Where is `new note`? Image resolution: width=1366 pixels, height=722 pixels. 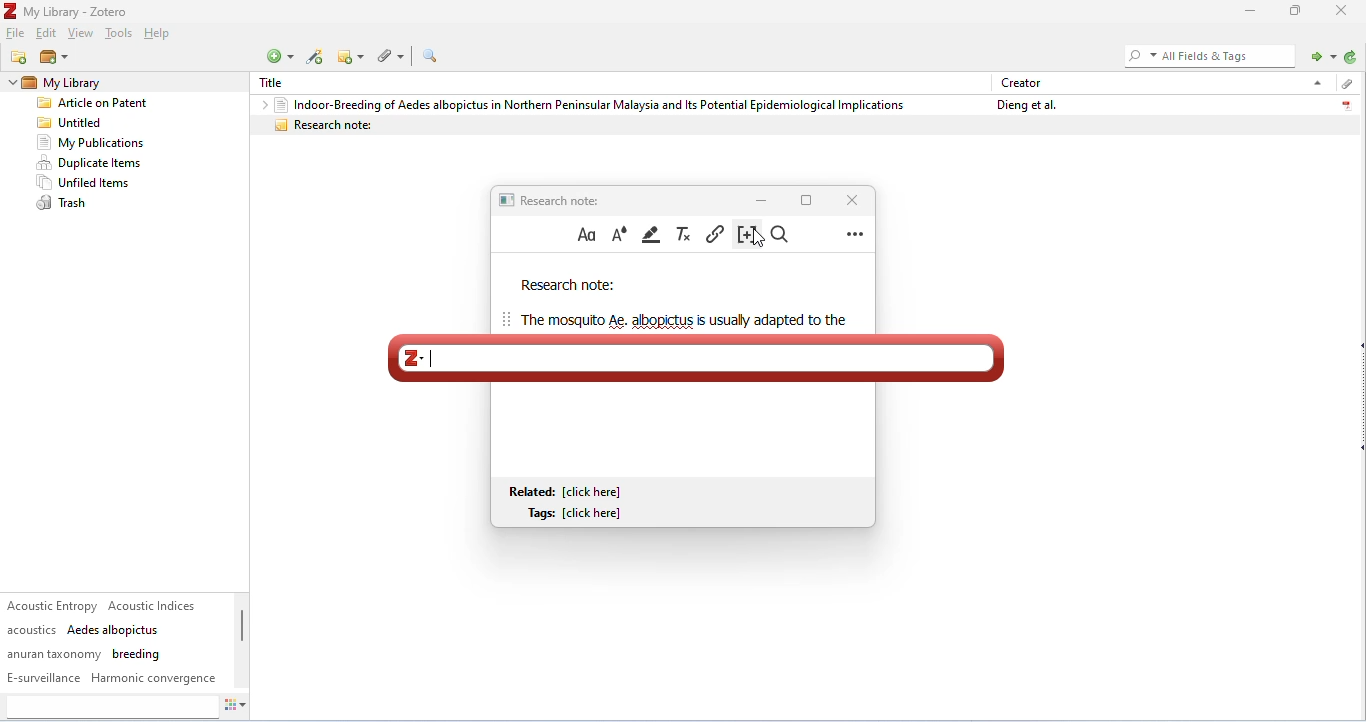
new note is located at coordinates (353, 56).